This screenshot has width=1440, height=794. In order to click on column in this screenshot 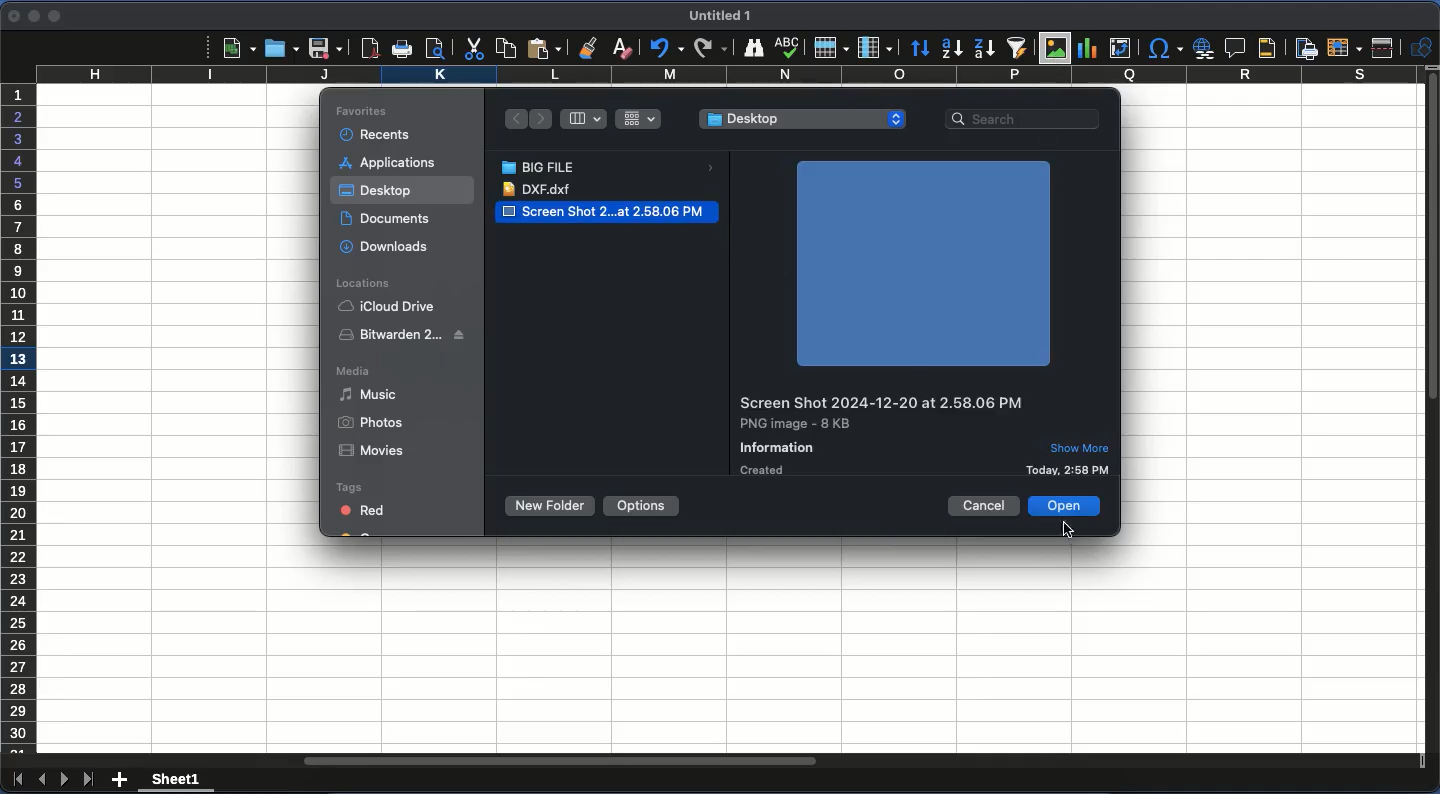, I will do `click(725, 76)`.